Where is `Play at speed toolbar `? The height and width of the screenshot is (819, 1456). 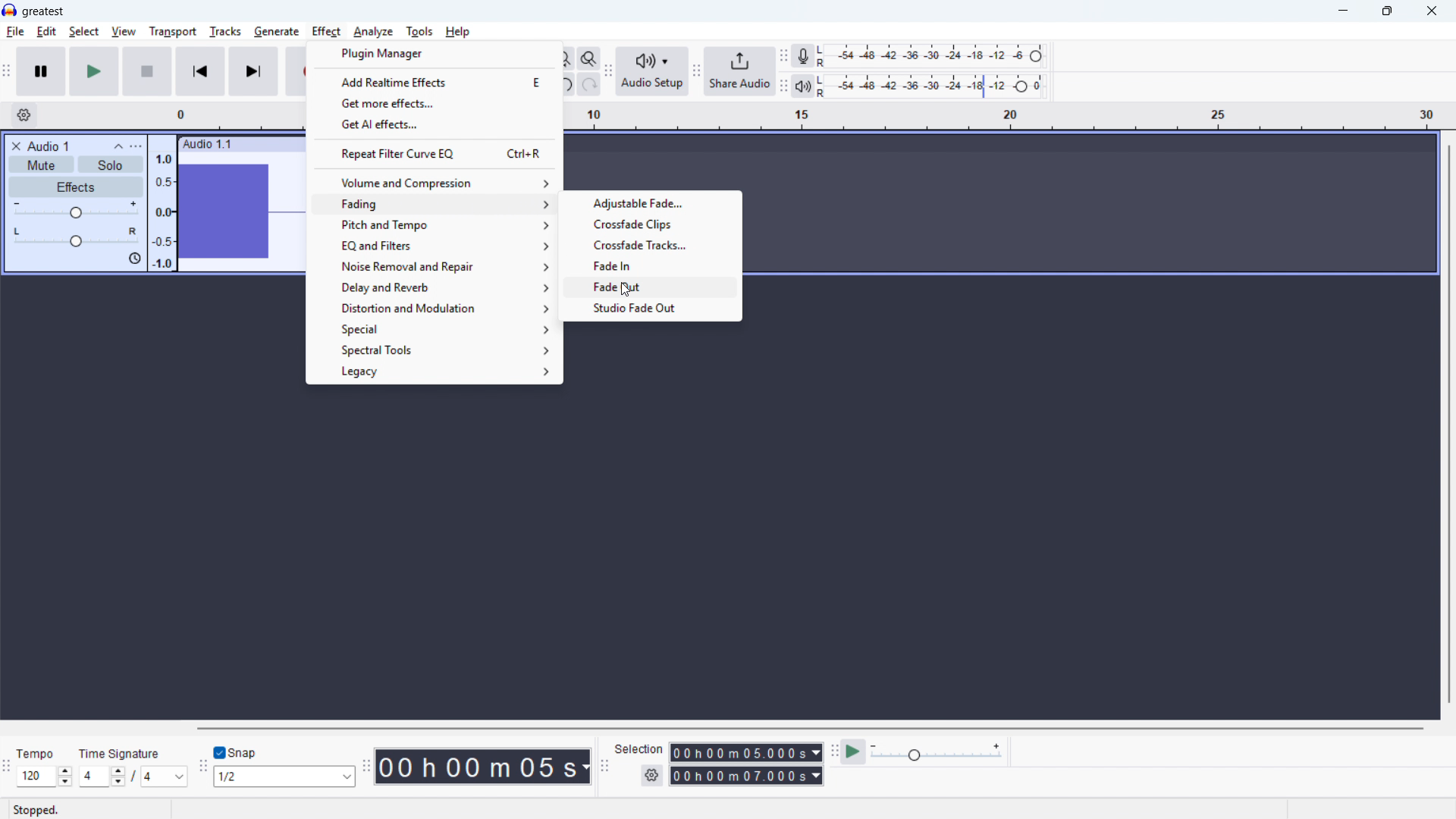
Play at speed toolbar  is located at coordinates (834, 754).